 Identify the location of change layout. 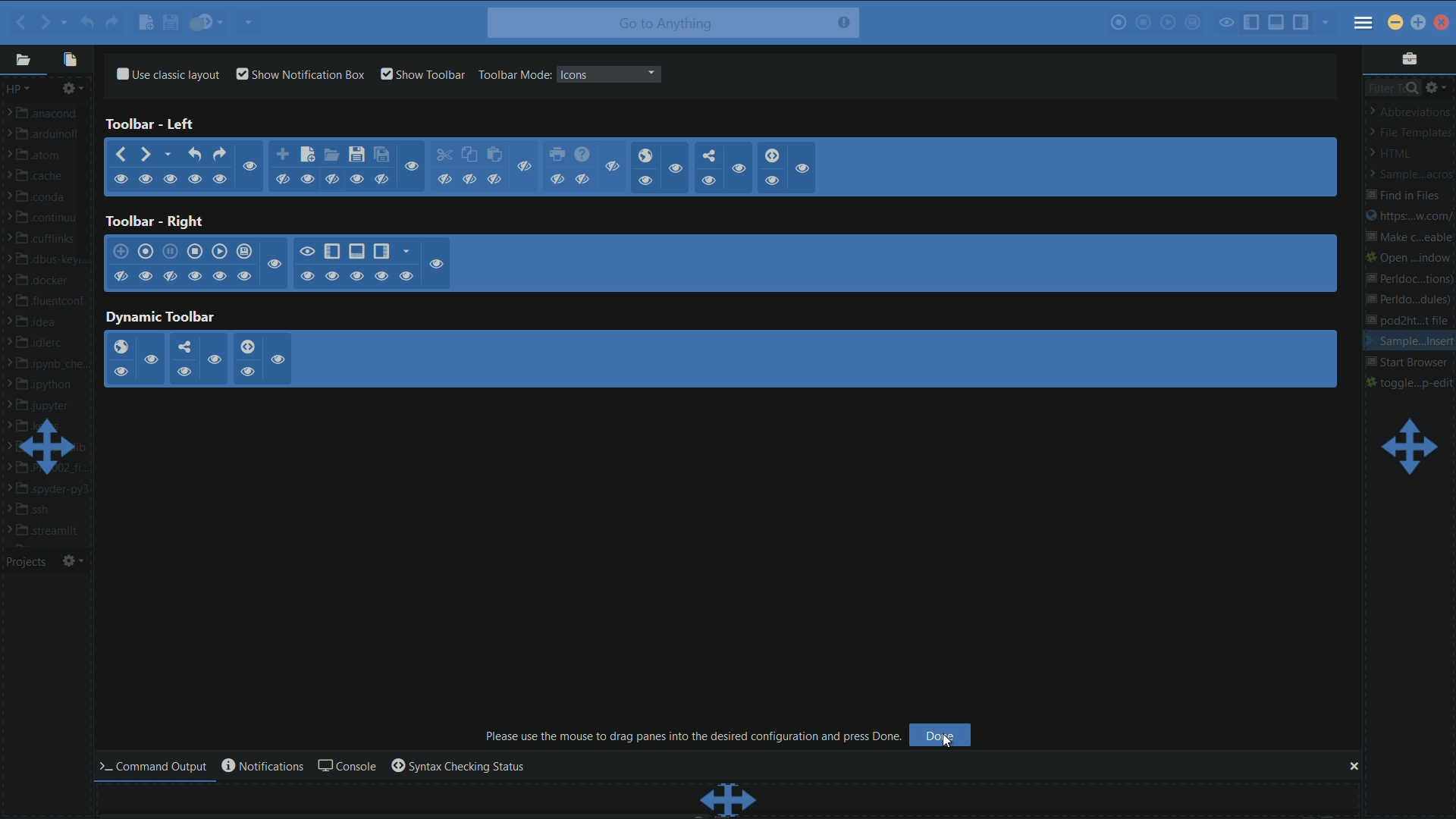
(729, 799).